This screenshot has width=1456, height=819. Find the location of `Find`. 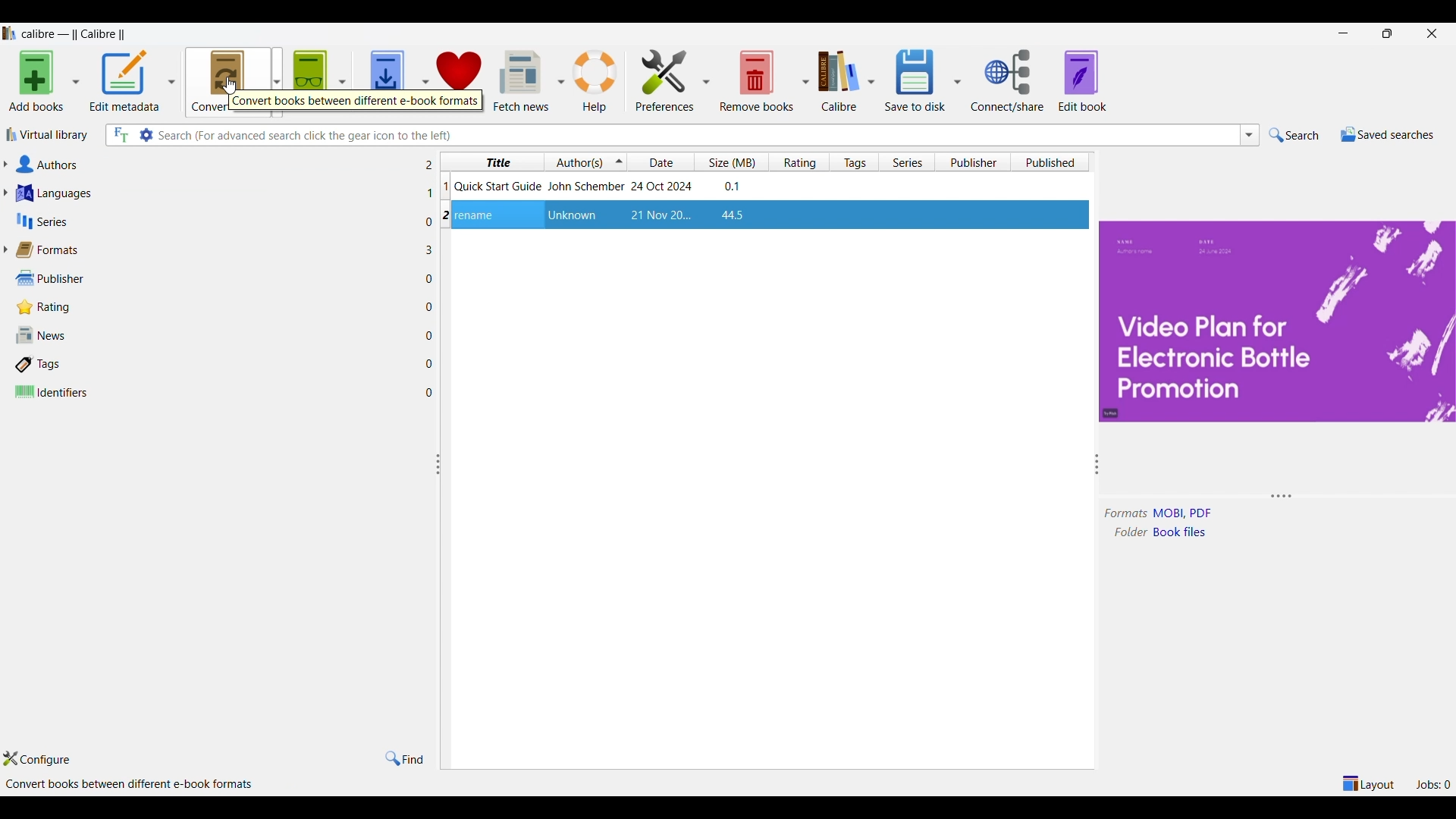

Find is located at coordinates (405, 760).